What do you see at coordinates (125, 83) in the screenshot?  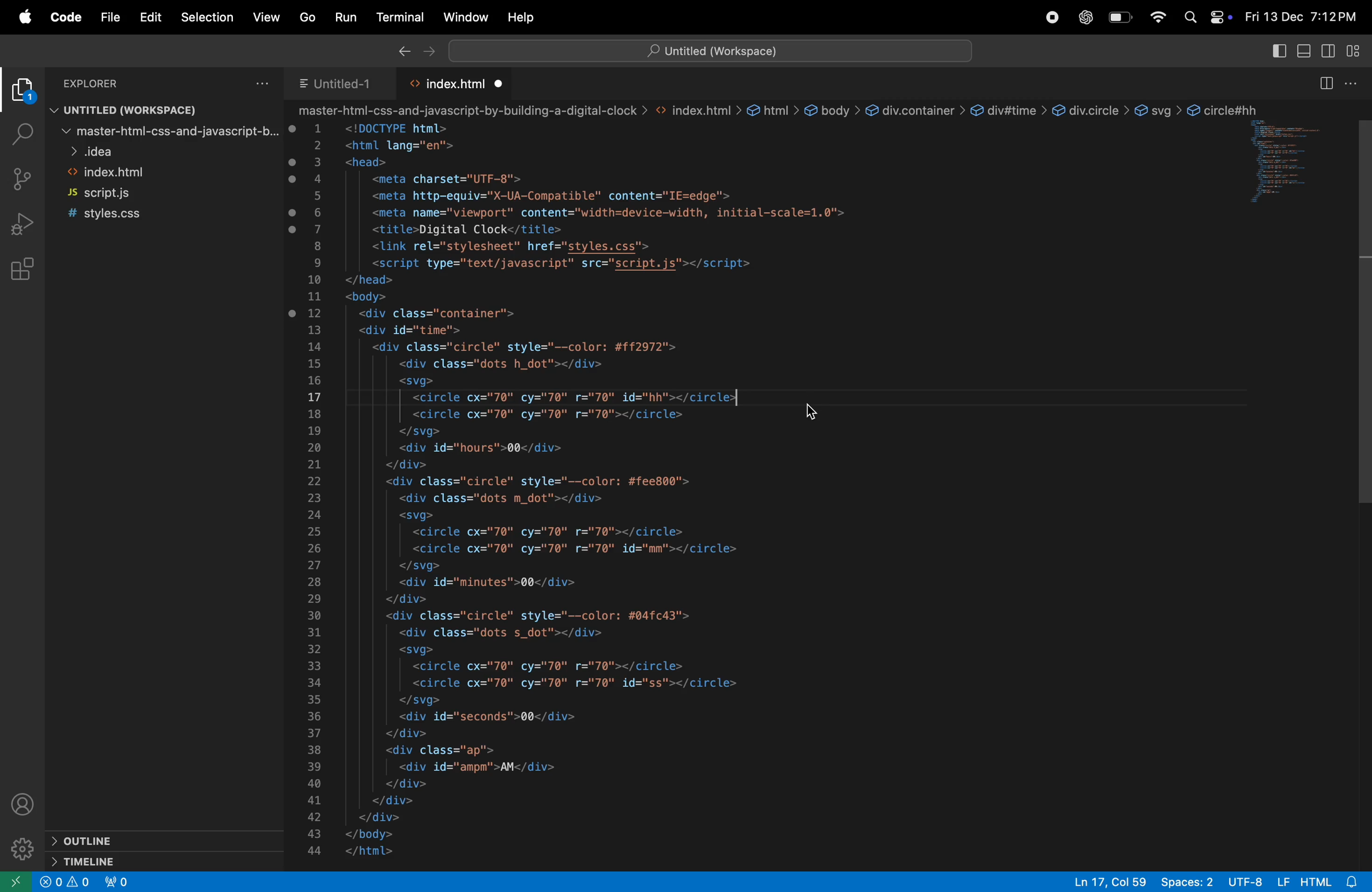 I see `explorer` at bounding box center [125, 83].